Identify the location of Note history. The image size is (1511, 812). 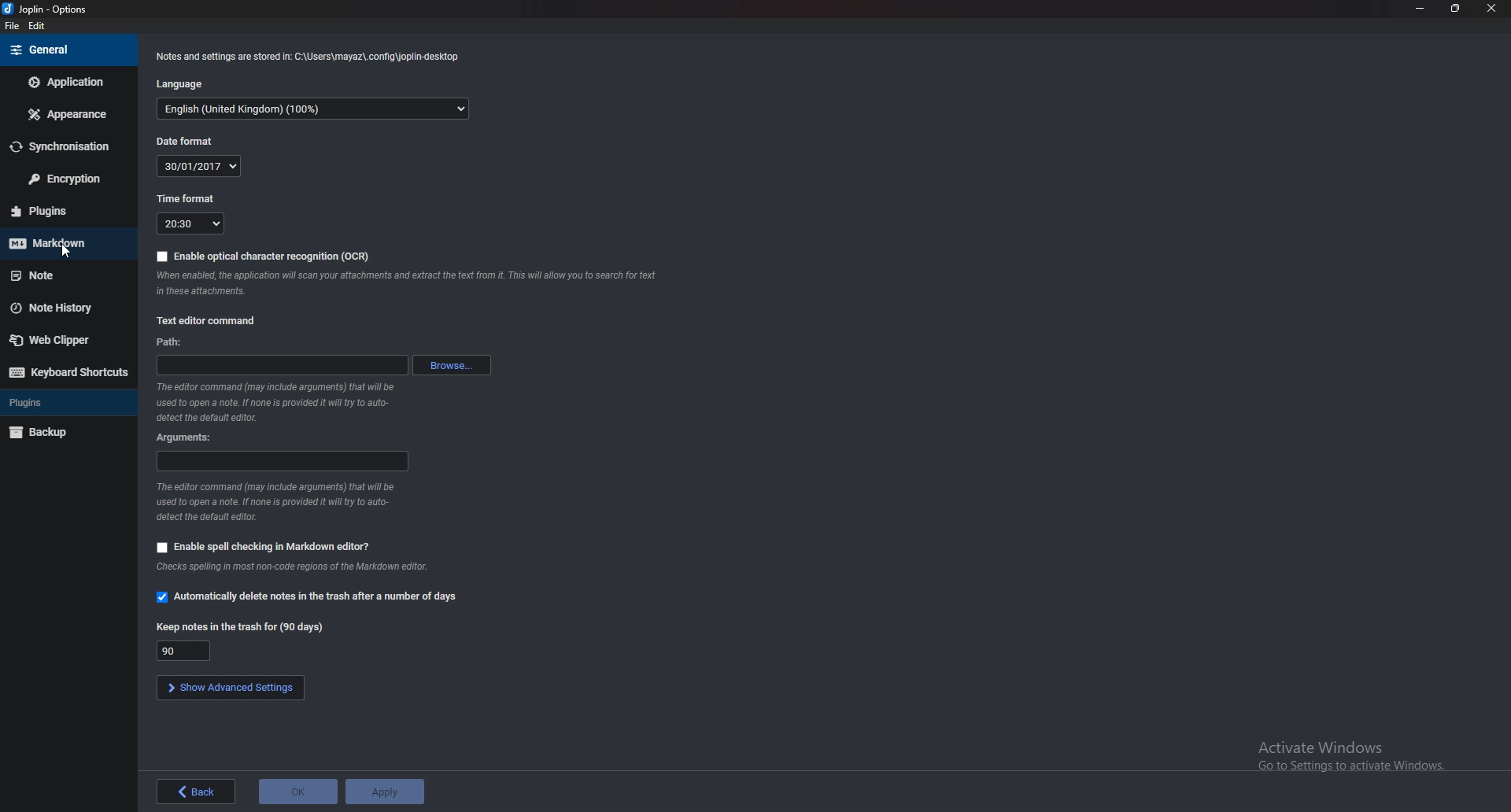
(63, 309).